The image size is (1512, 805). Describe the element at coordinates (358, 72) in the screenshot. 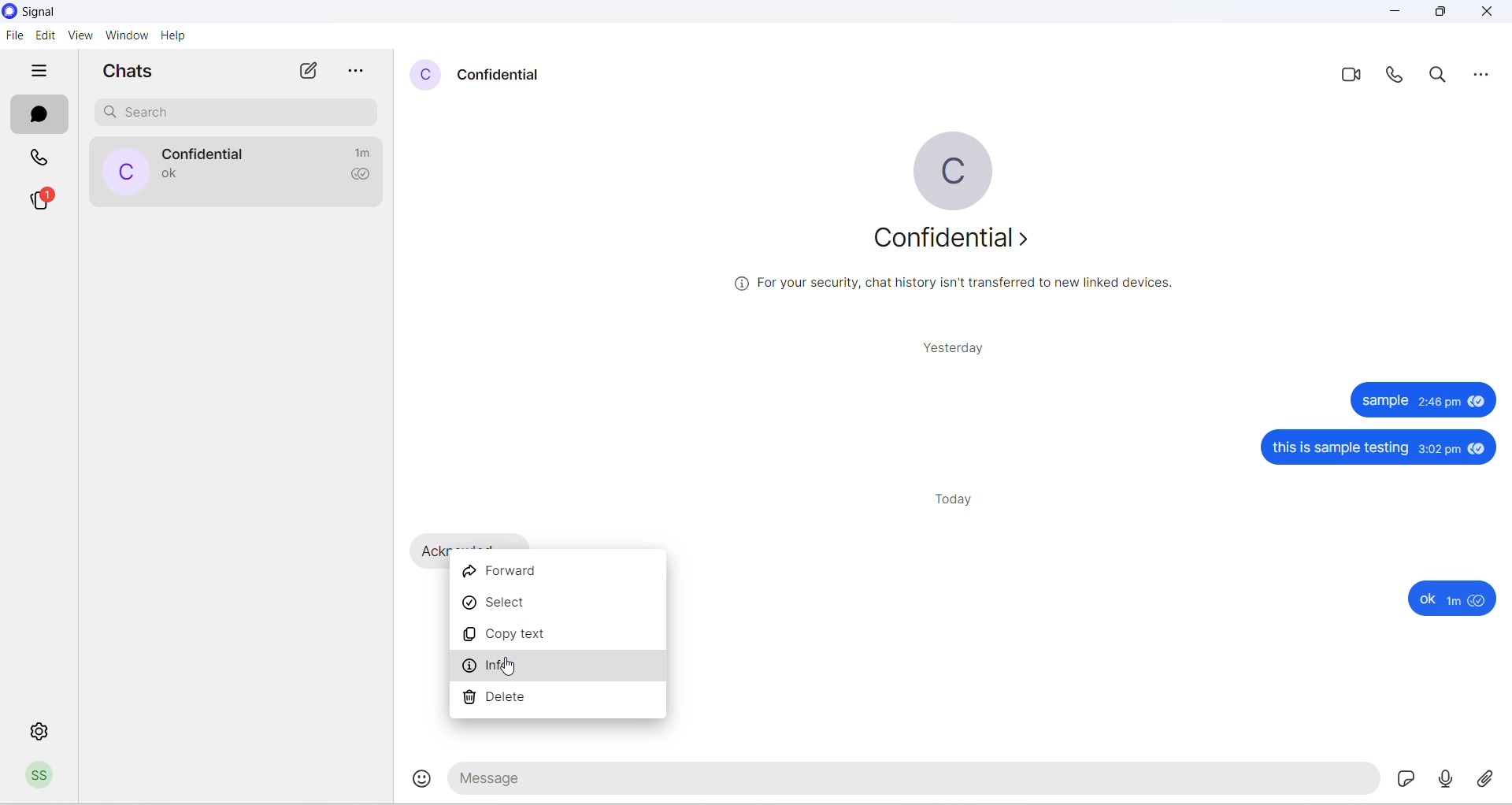

I see `more options` at that location.